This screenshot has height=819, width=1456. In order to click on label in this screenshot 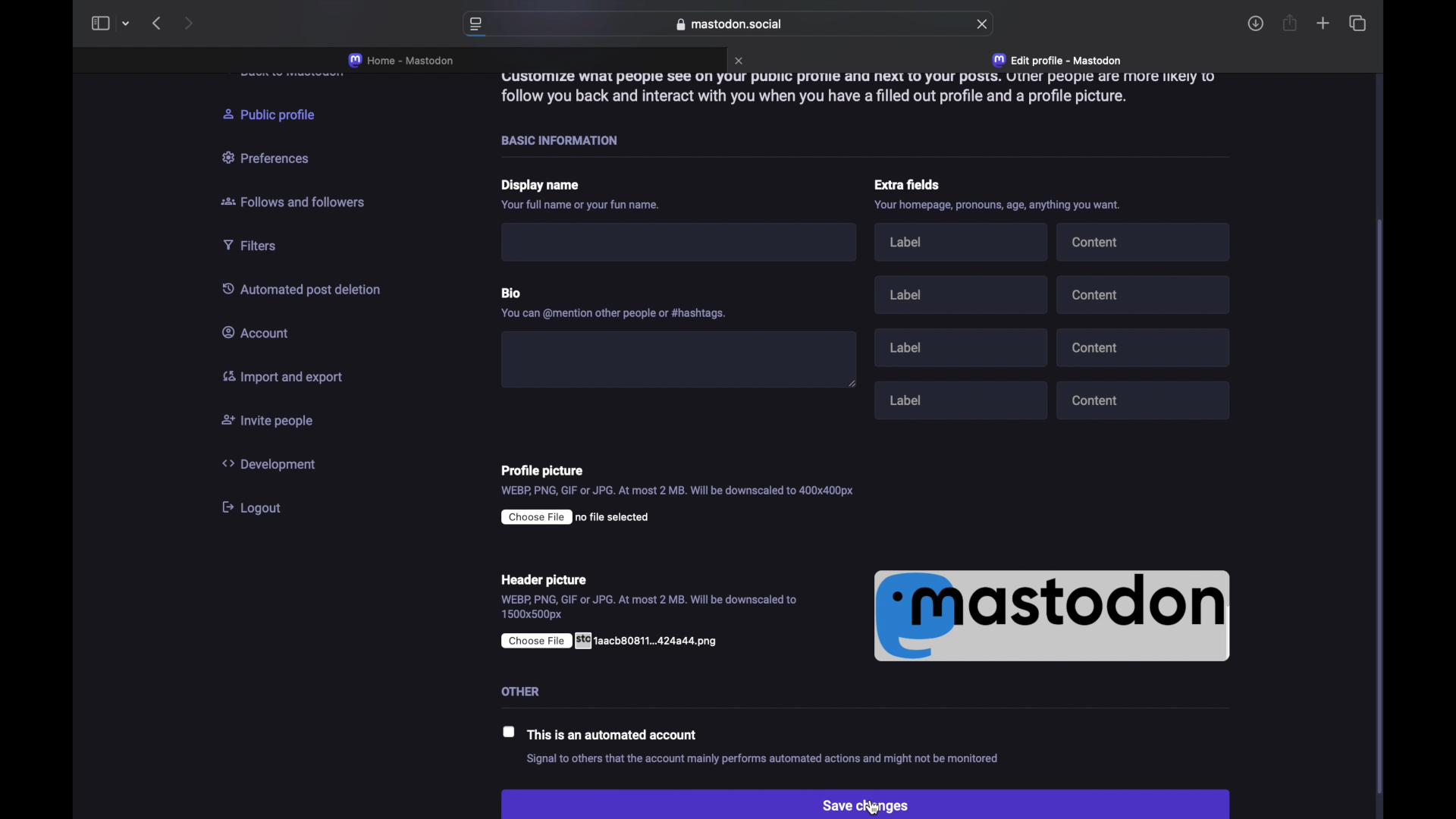, I will do `click(961, 293)`.